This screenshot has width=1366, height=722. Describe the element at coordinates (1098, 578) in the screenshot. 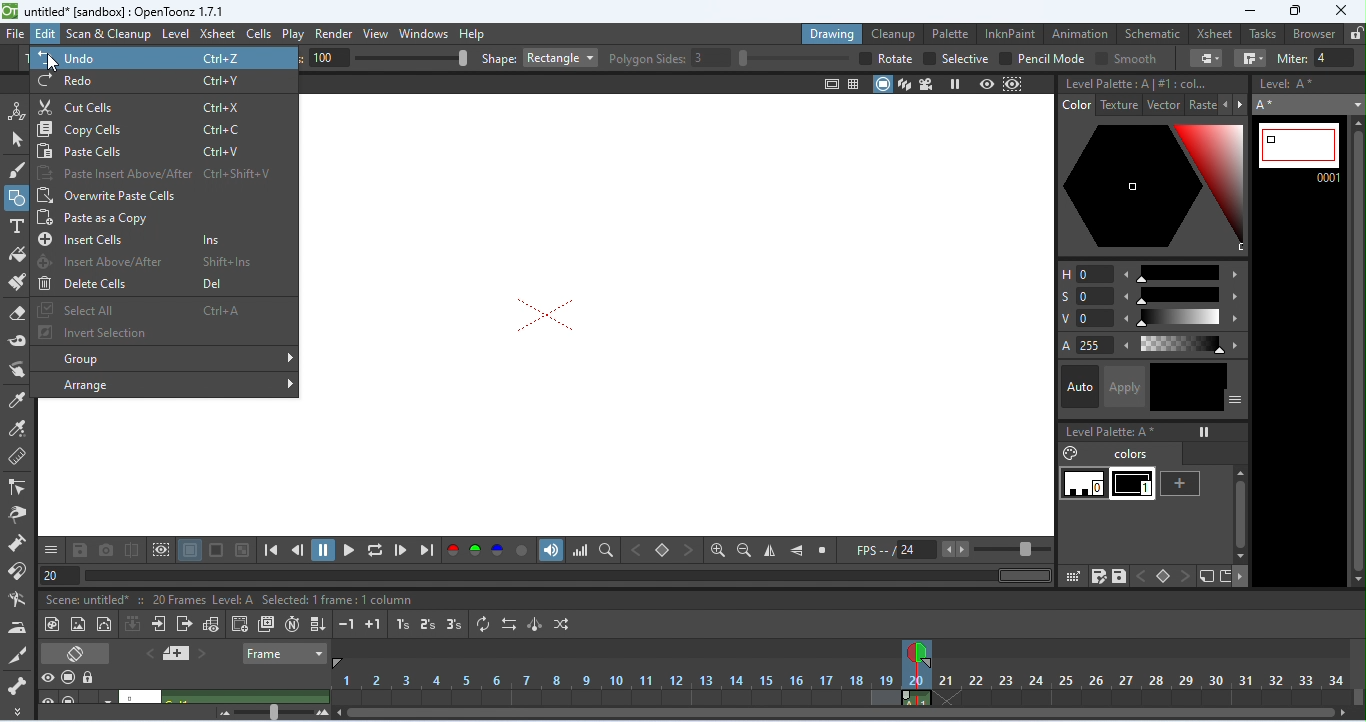

I see `save palette as` at that location.